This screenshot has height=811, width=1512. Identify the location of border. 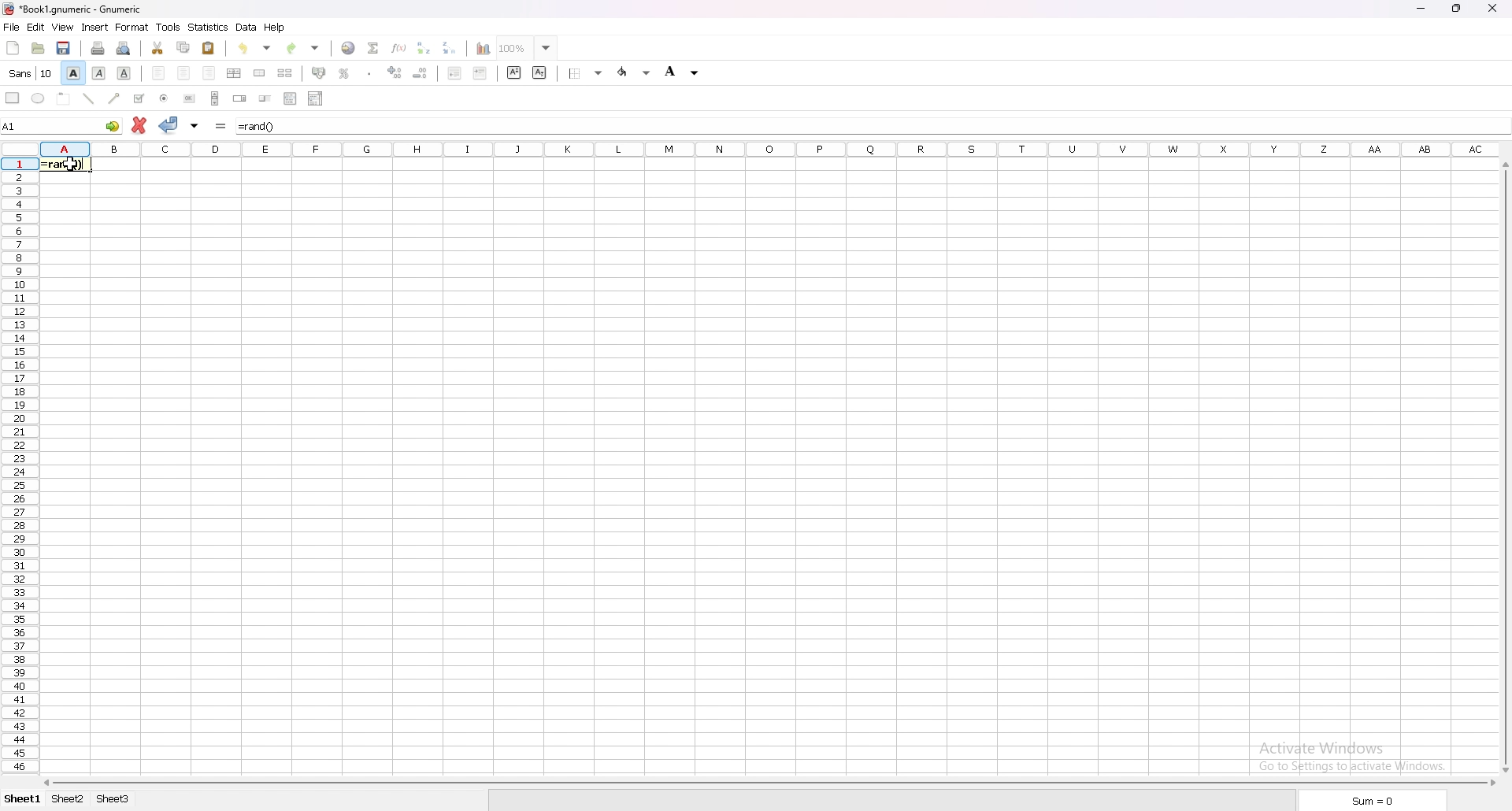
(587, 72).